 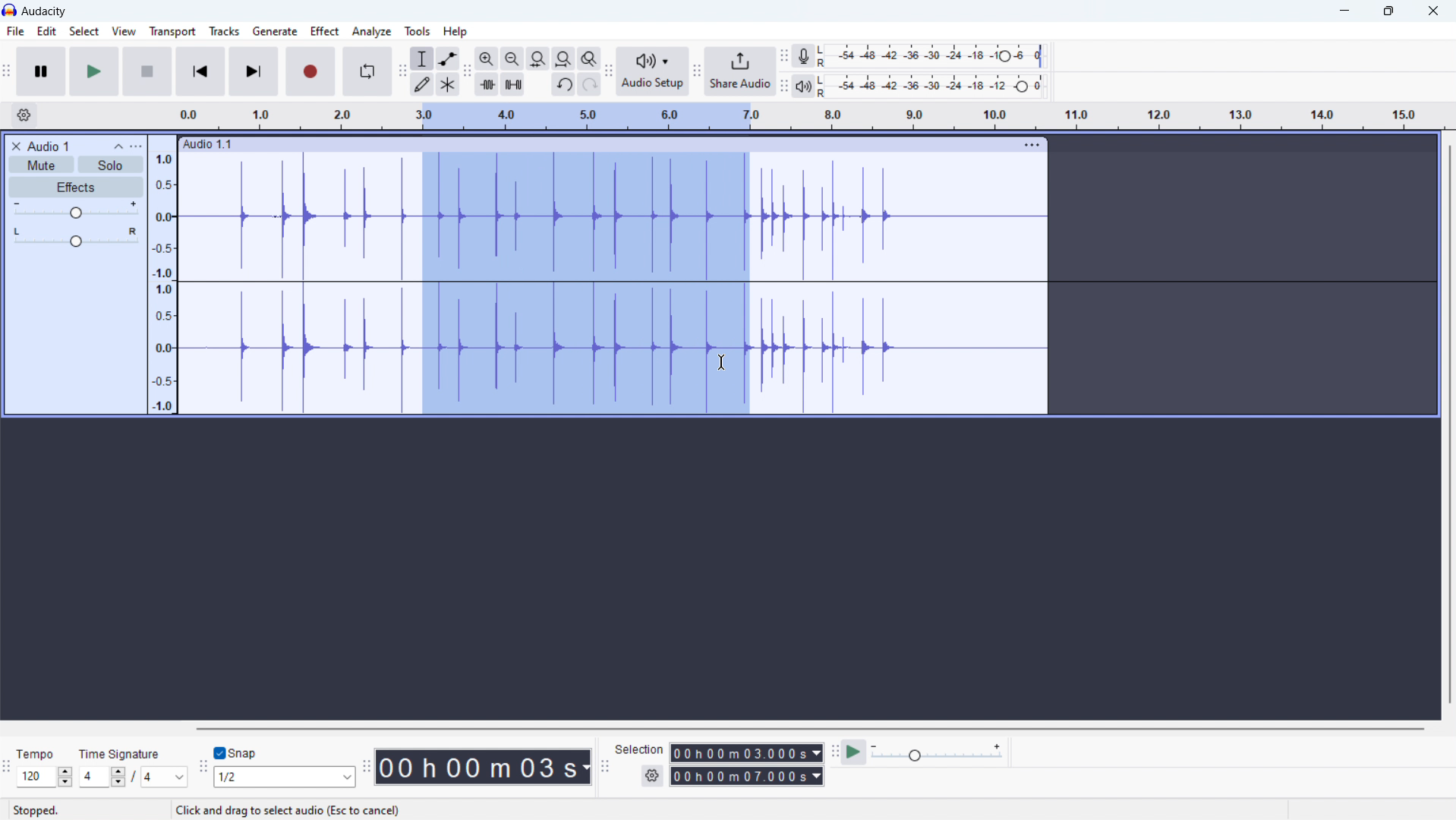 What do you see at coordinates (203, 767) in the screenshot?
I see `snapping toolbar` at bounding box center [203, 767].